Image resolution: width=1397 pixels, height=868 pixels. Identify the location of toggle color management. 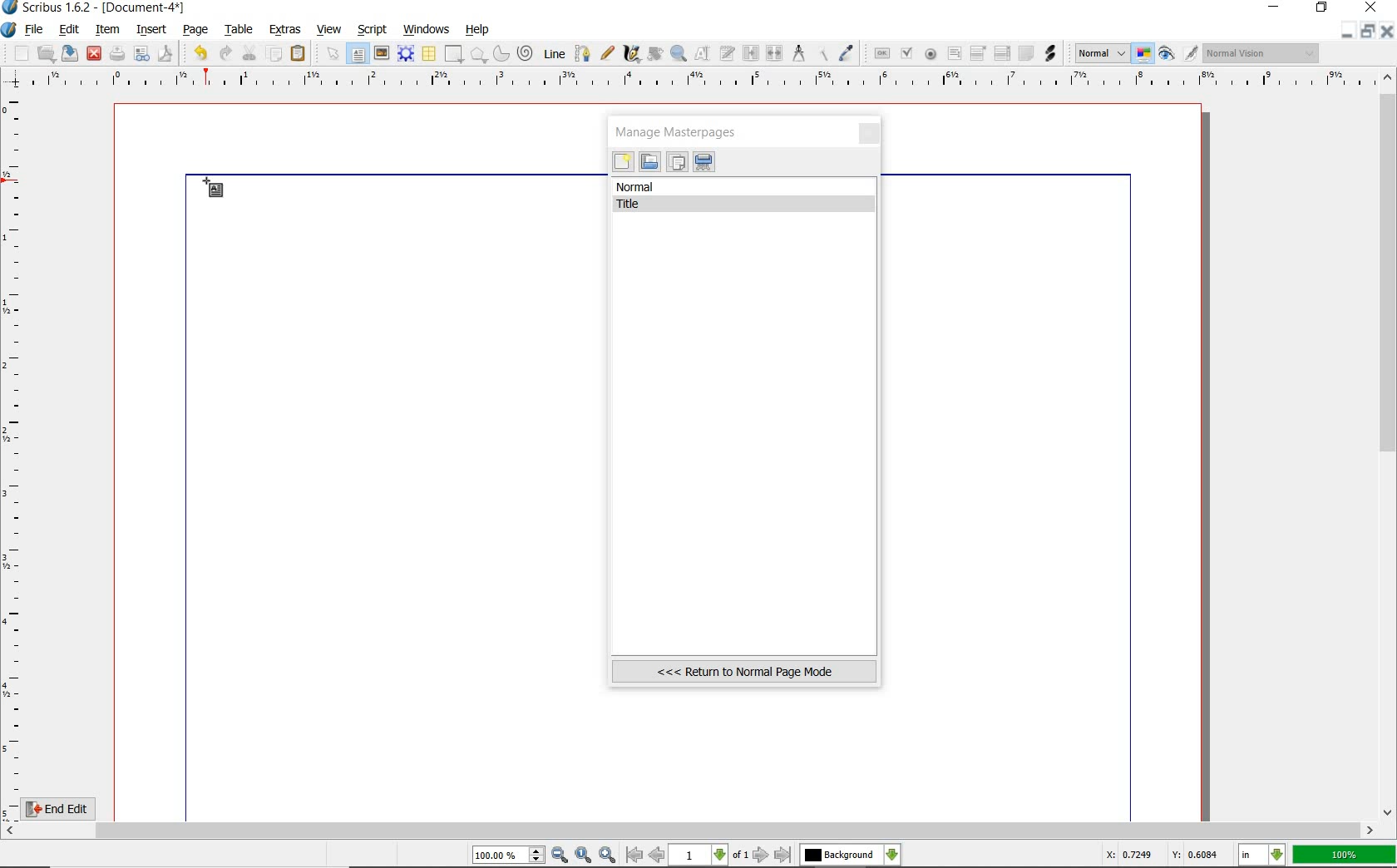
(1144, 55).